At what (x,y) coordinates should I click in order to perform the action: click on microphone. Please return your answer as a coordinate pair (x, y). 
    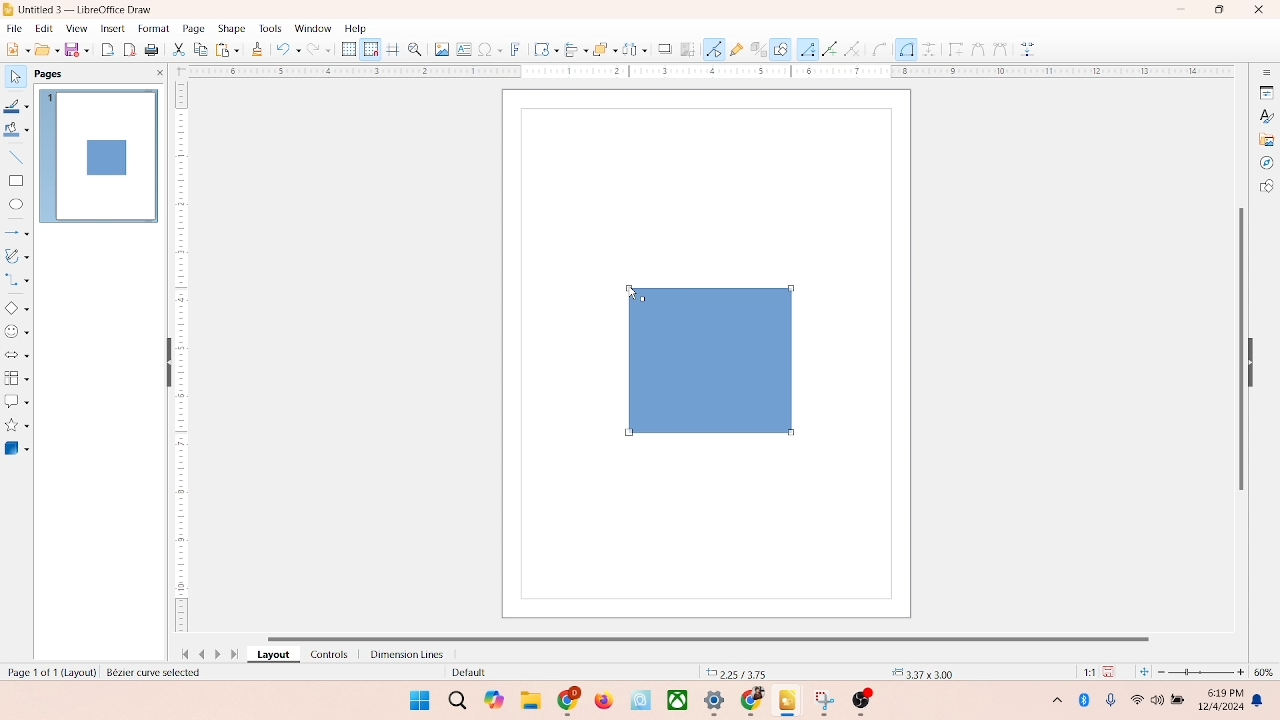
    Looking at the image, I should click on (1112, 701).